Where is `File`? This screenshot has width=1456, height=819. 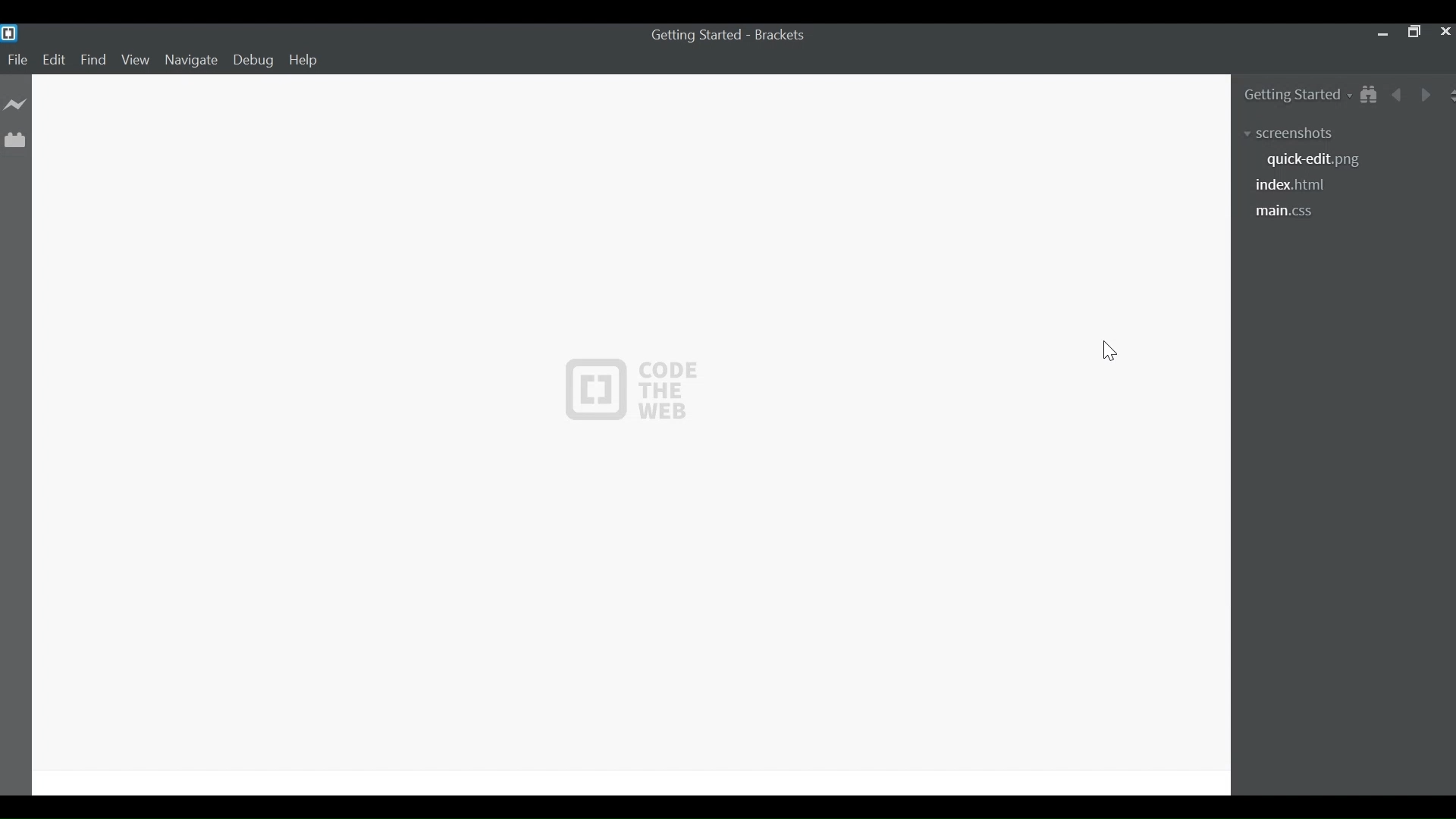
File is located at coordinates (18, 61).